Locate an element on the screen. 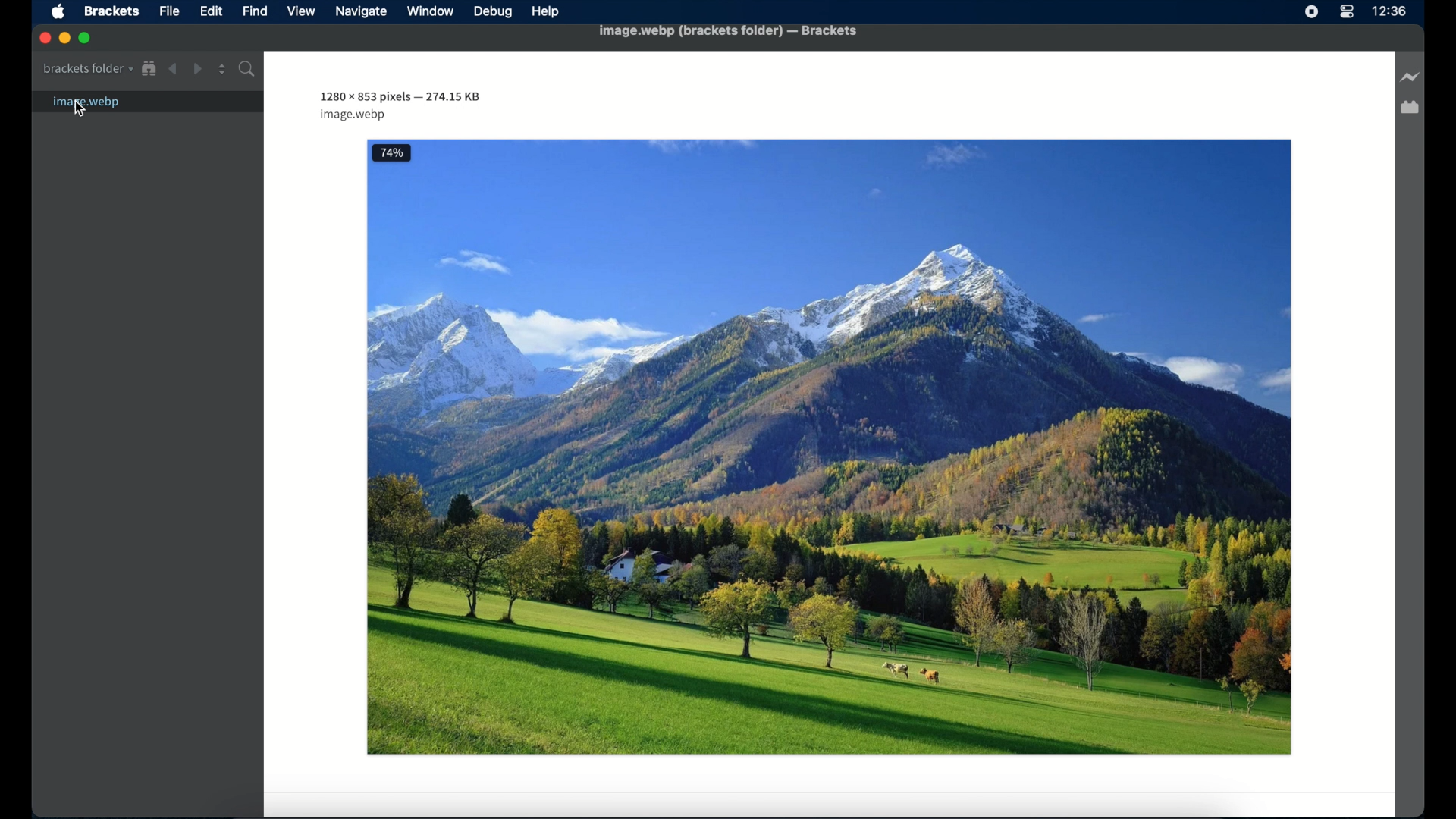  back is located at coordinates (173, 69).